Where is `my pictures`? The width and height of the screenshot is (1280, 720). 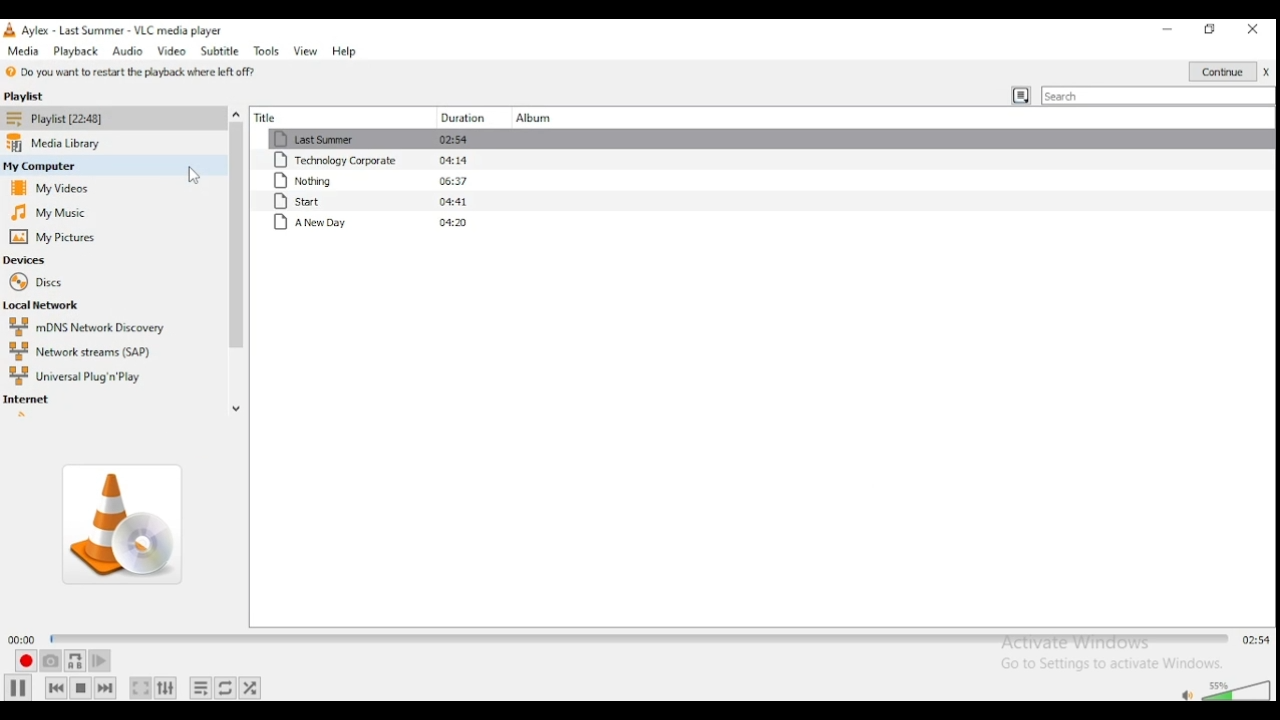 my pictures is located at coordinates (58, 236).